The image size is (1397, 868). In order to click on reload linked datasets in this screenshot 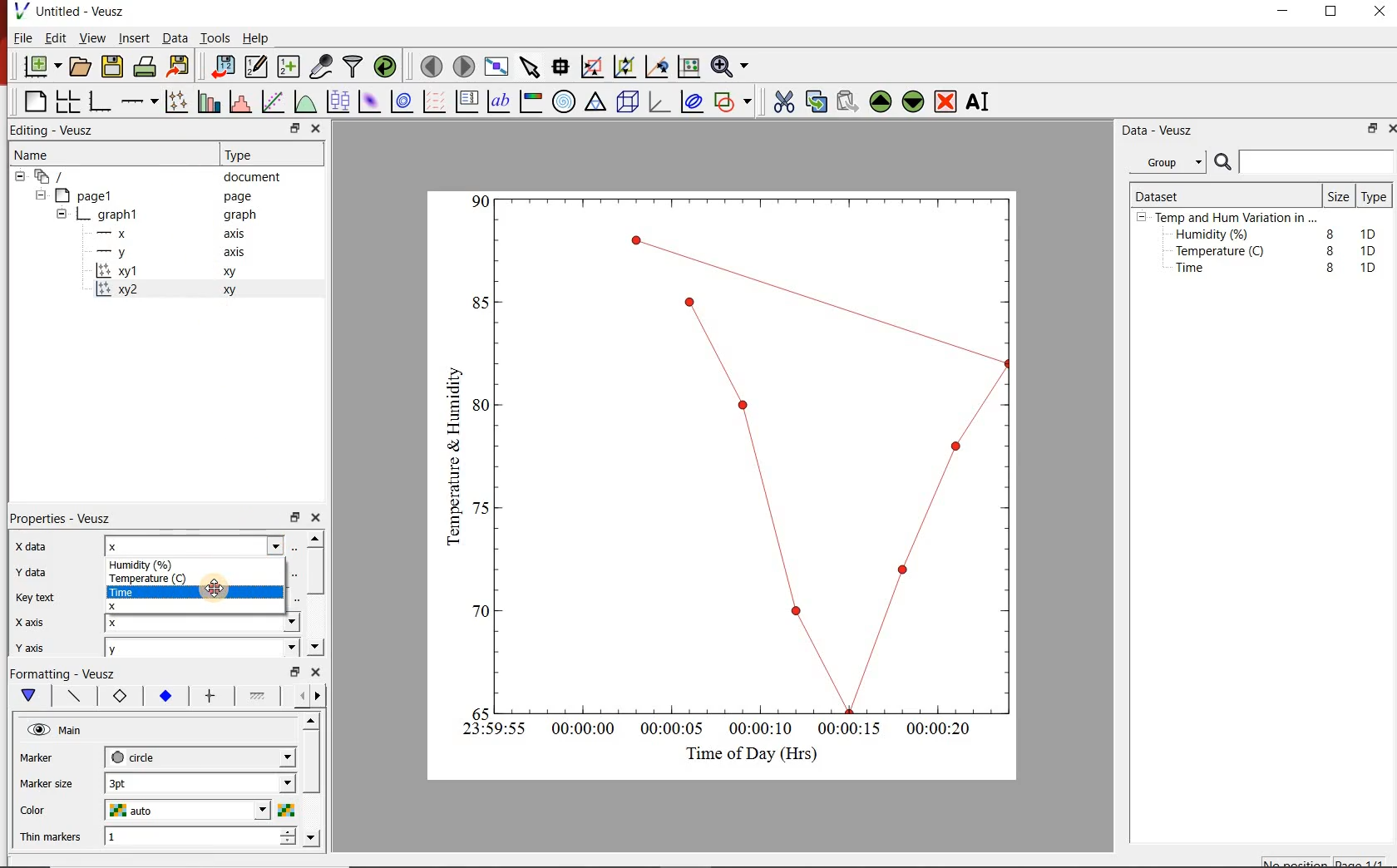, I will do `click(385, 67)`.